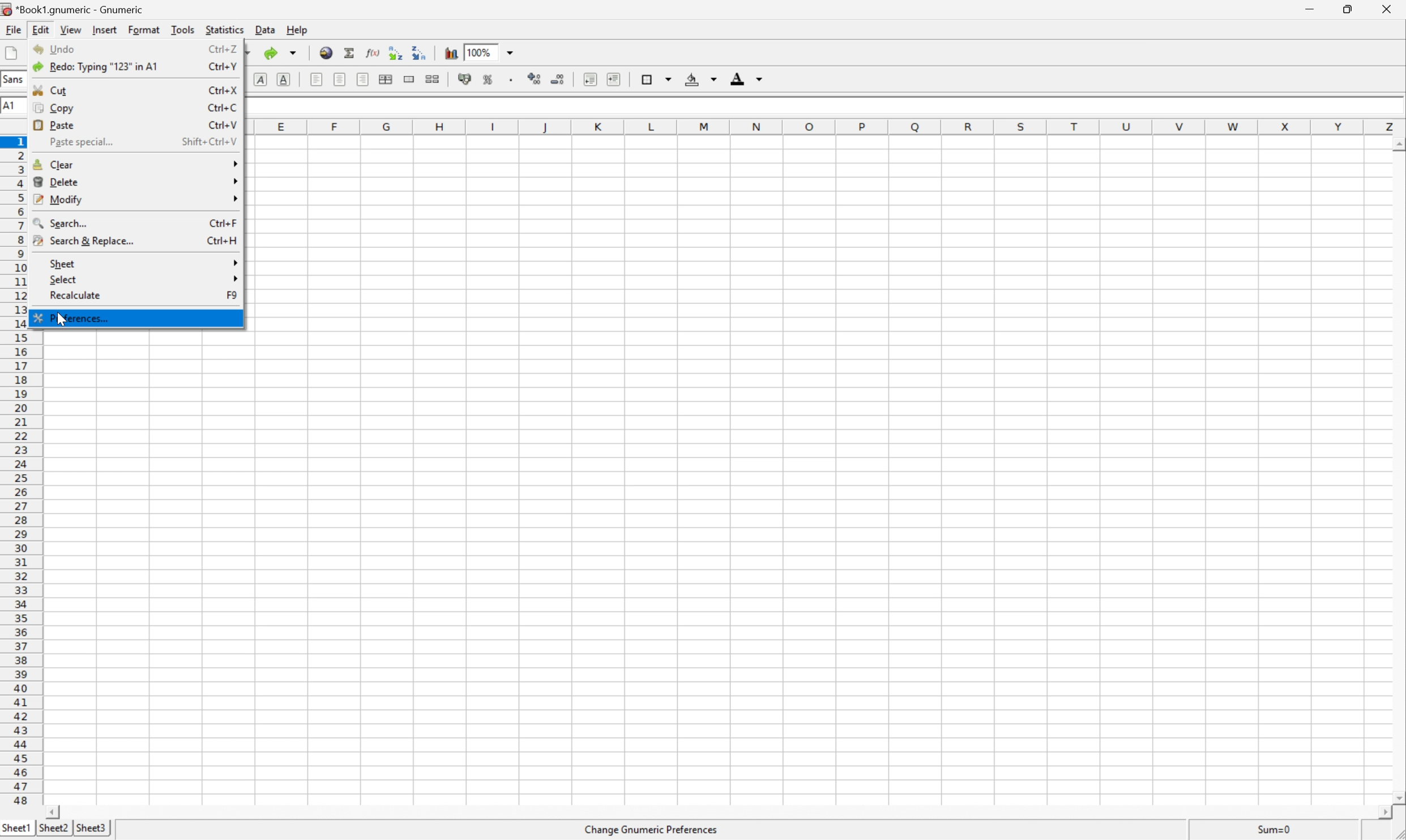  What do you see at coordinates (703, 79) in the screenshot?
I see `background color` at bounding box center [703, 79].